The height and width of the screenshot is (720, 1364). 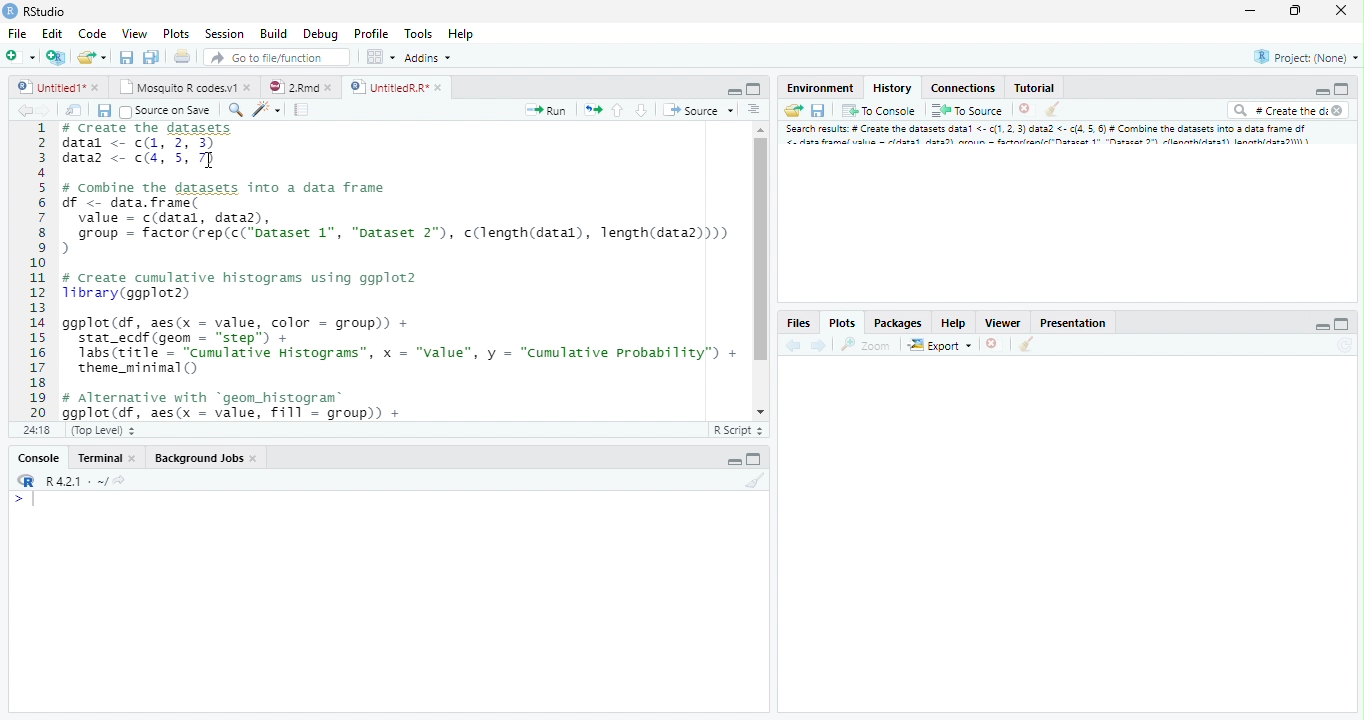 I want to click on To Source, so click(x=968, y=110).